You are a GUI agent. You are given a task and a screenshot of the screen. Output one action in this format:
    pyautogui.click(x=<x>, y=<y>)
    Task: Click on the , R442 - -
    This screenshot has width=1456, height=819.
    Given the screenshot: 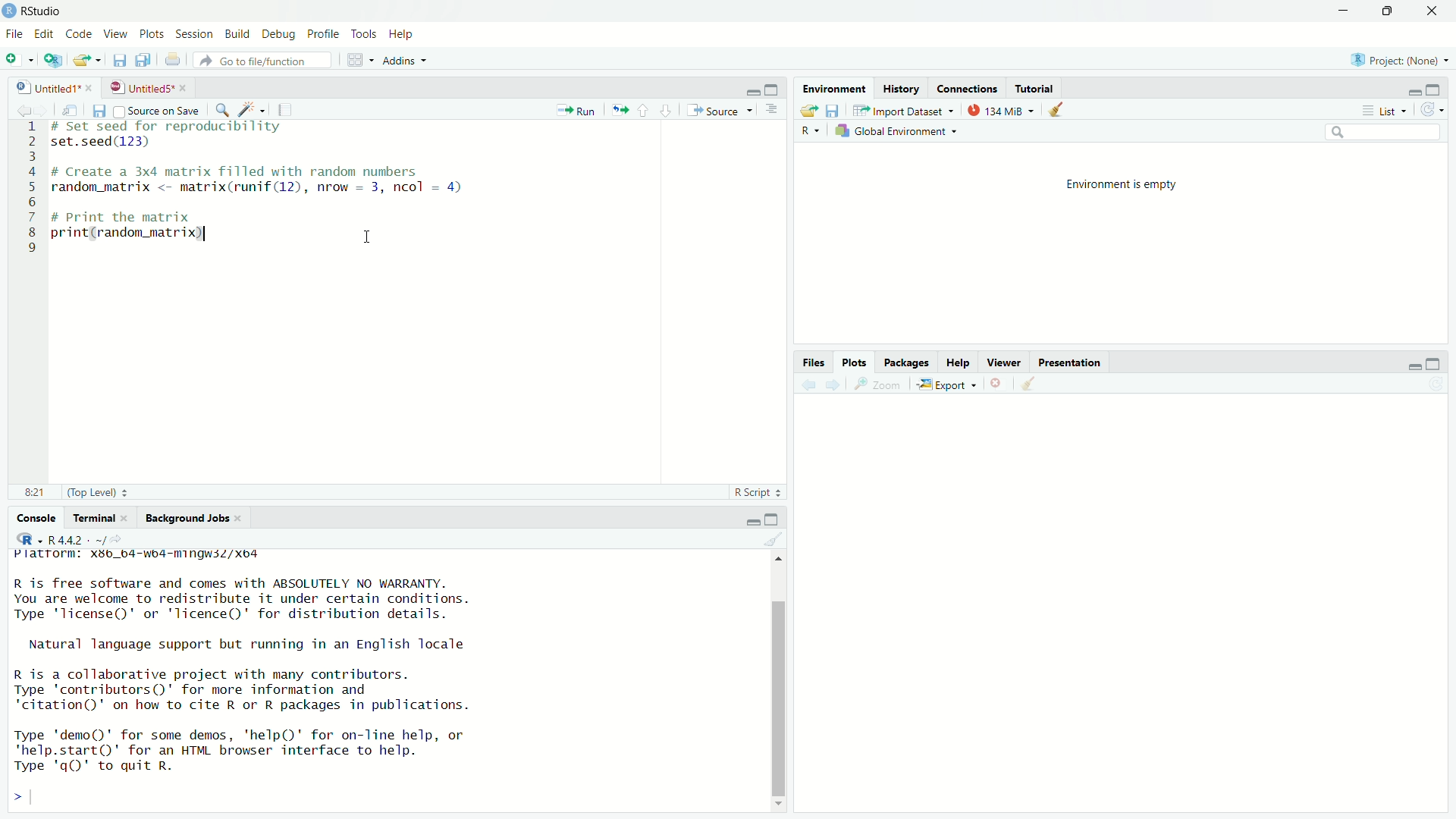 What is the action you would take?
    pyautogui.click(x=77, y=538)
    